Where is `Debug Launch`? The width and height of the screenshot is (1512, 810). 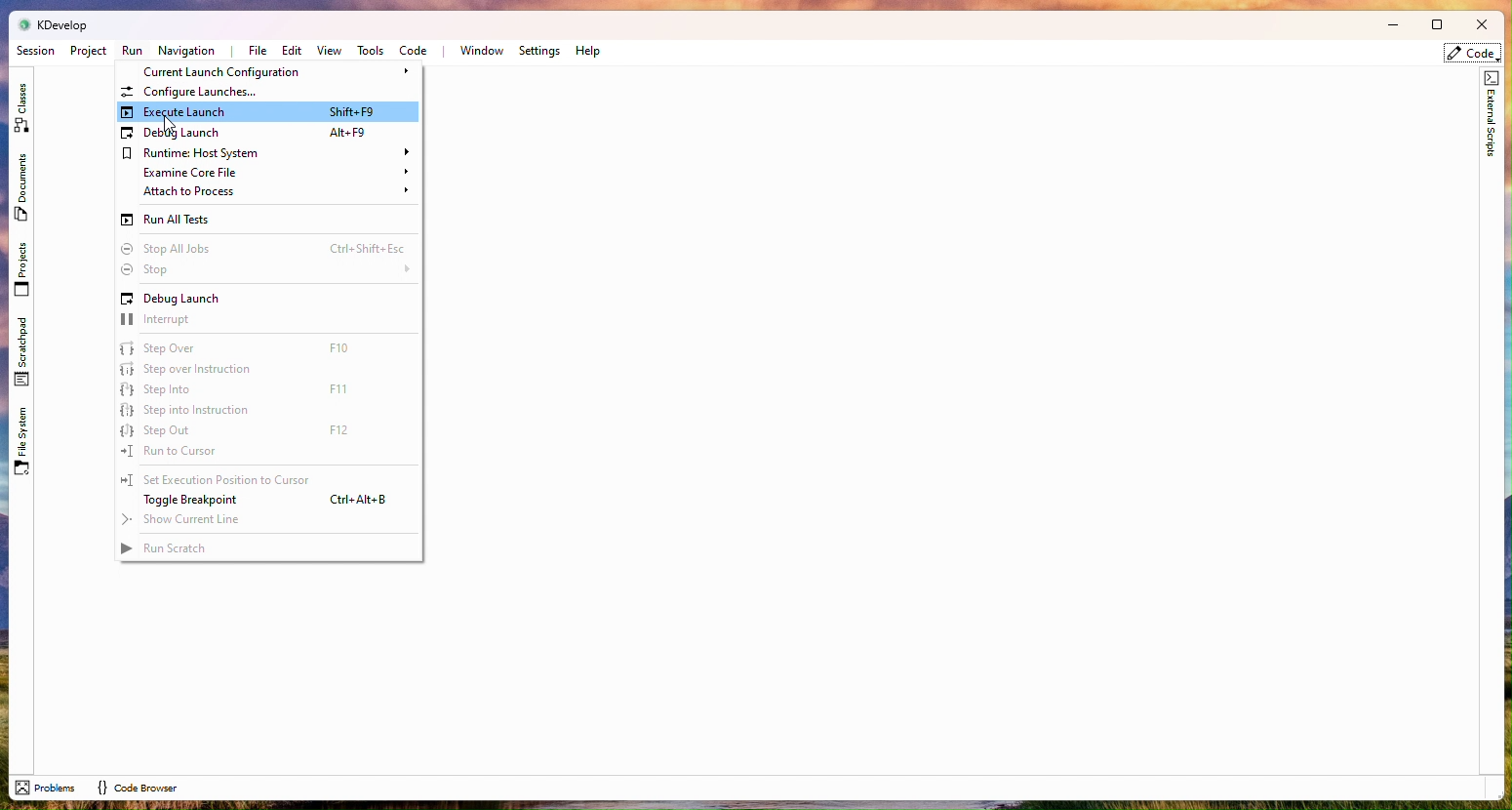 Debug Launch is located at coordinates (267, 299).